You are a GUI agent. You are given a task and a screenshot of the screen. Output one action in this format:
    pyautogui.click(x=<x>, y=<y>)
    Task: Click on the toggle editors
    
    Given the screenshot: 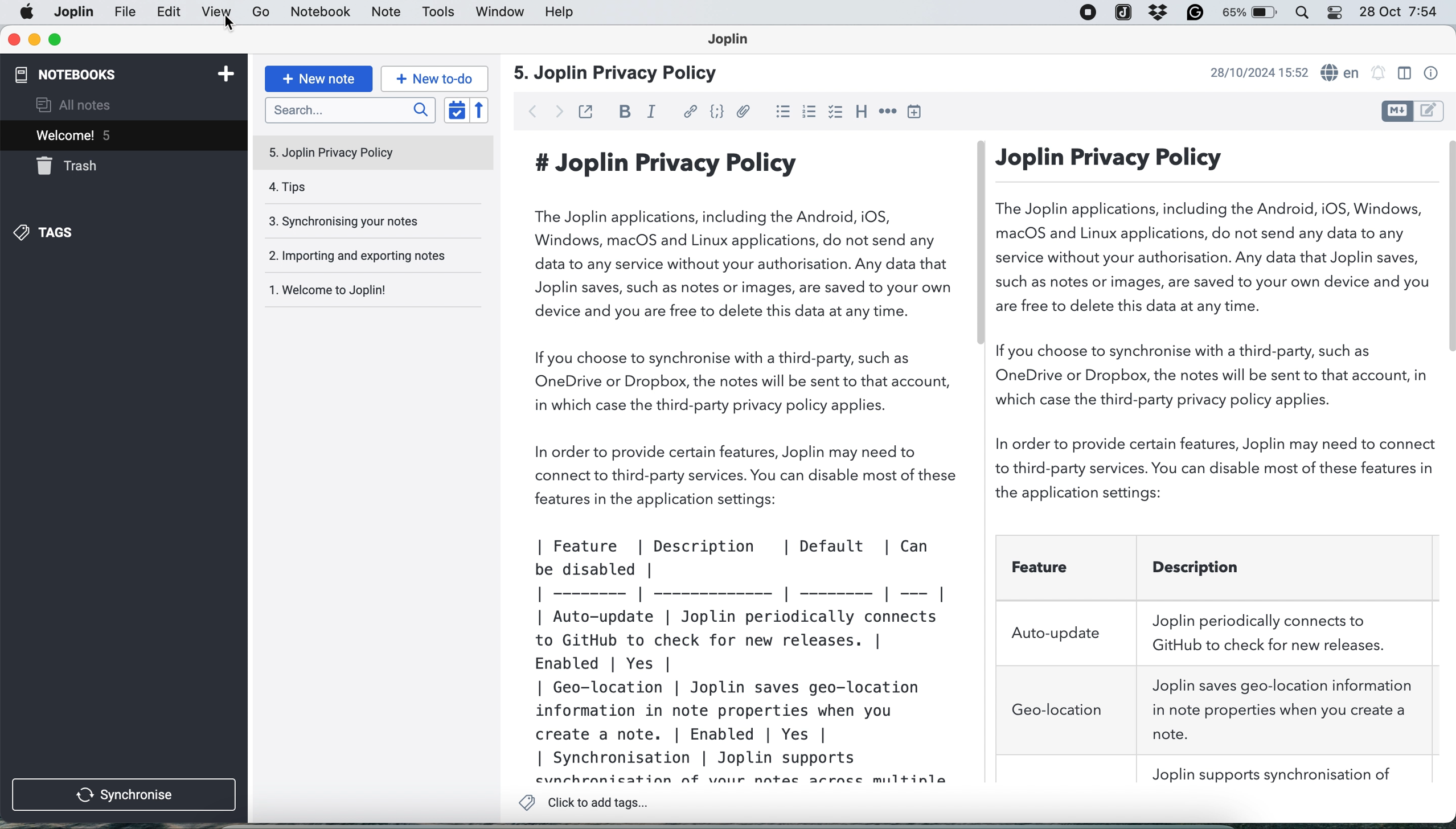 What is the action you would take?
    pyautogui.click(x=1411, y=110)
    